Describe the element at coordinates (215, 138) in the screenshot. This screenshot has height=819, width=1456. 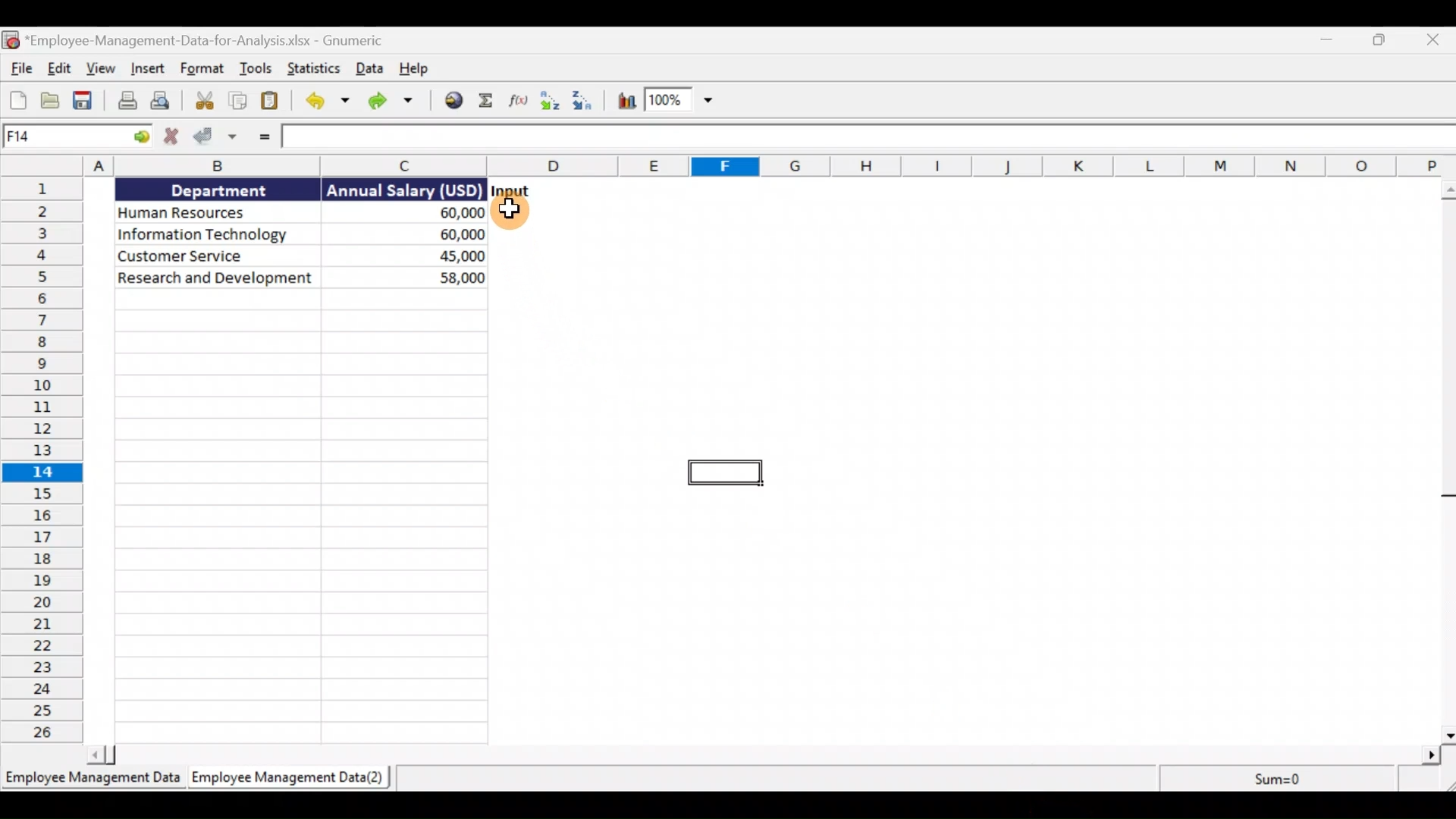
I see `Accept change` at that location.